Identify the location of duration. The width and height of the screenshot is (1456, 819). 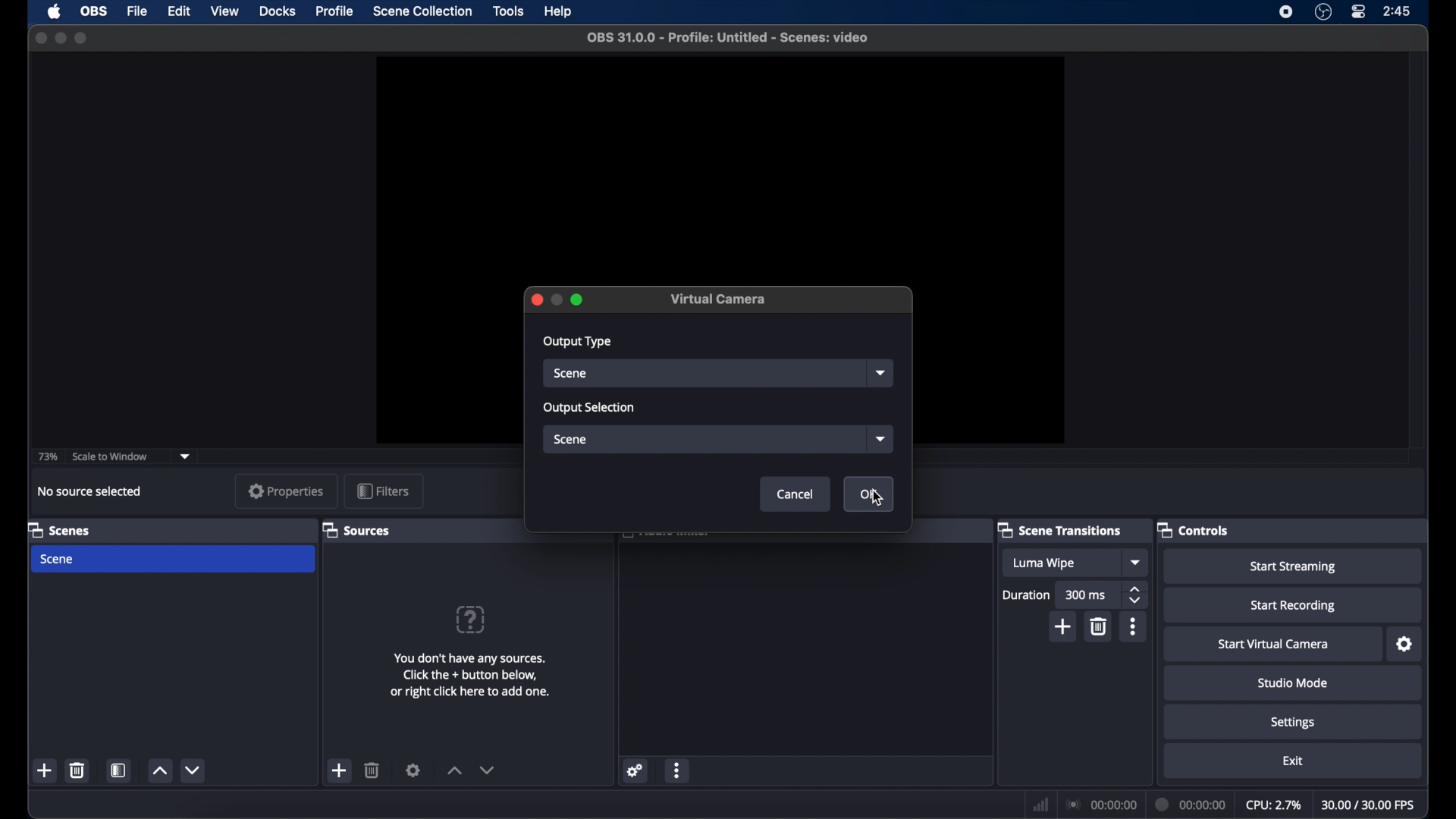
(1191, 804).